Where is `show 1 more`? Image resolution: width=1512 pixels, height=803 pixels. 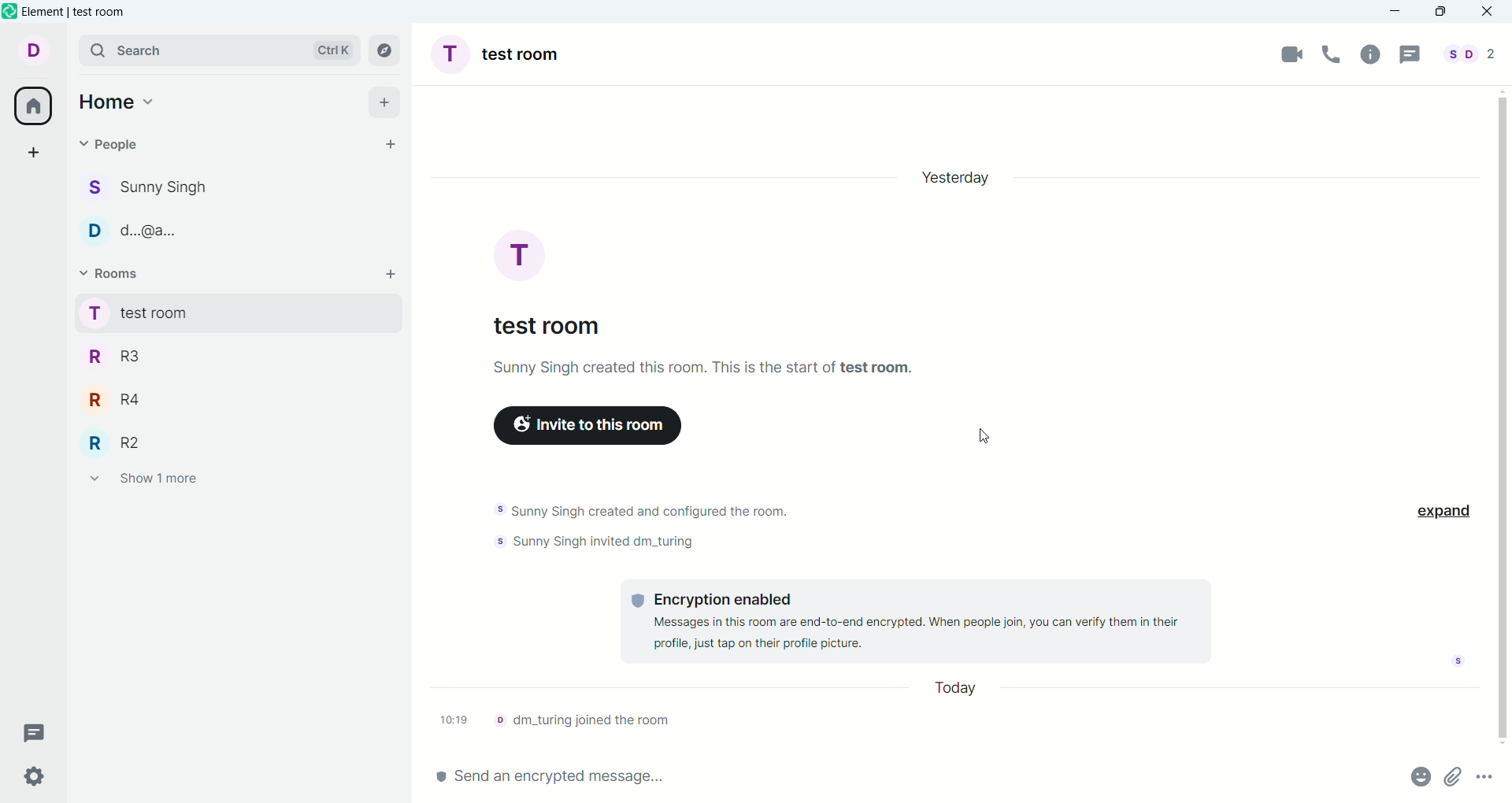 show 1 more is located at coordinates (144, 479).